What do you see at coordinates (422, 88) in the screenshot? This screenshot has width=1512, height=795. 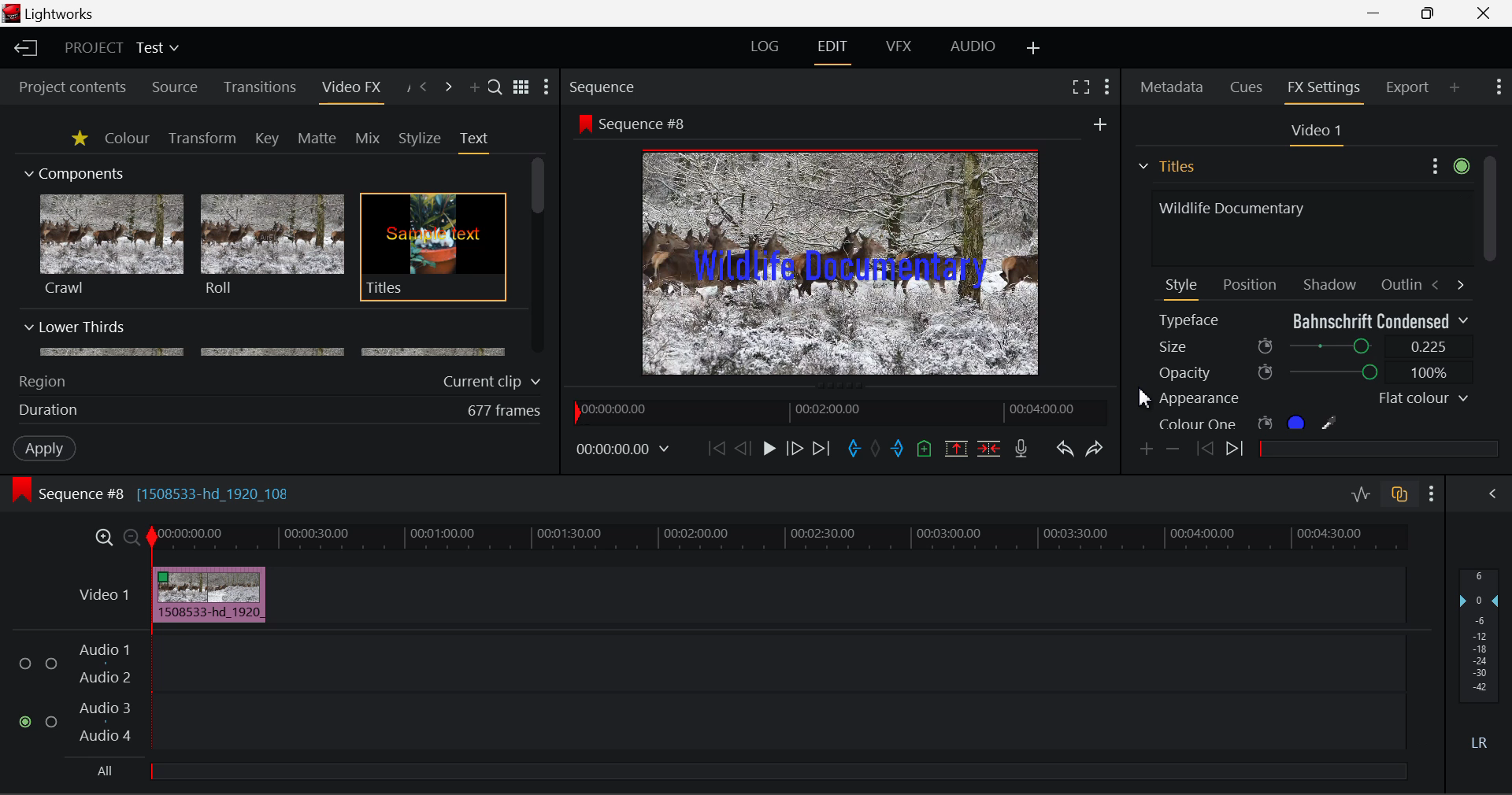 I see `Previous Panel` at bounding box center [422, 88].